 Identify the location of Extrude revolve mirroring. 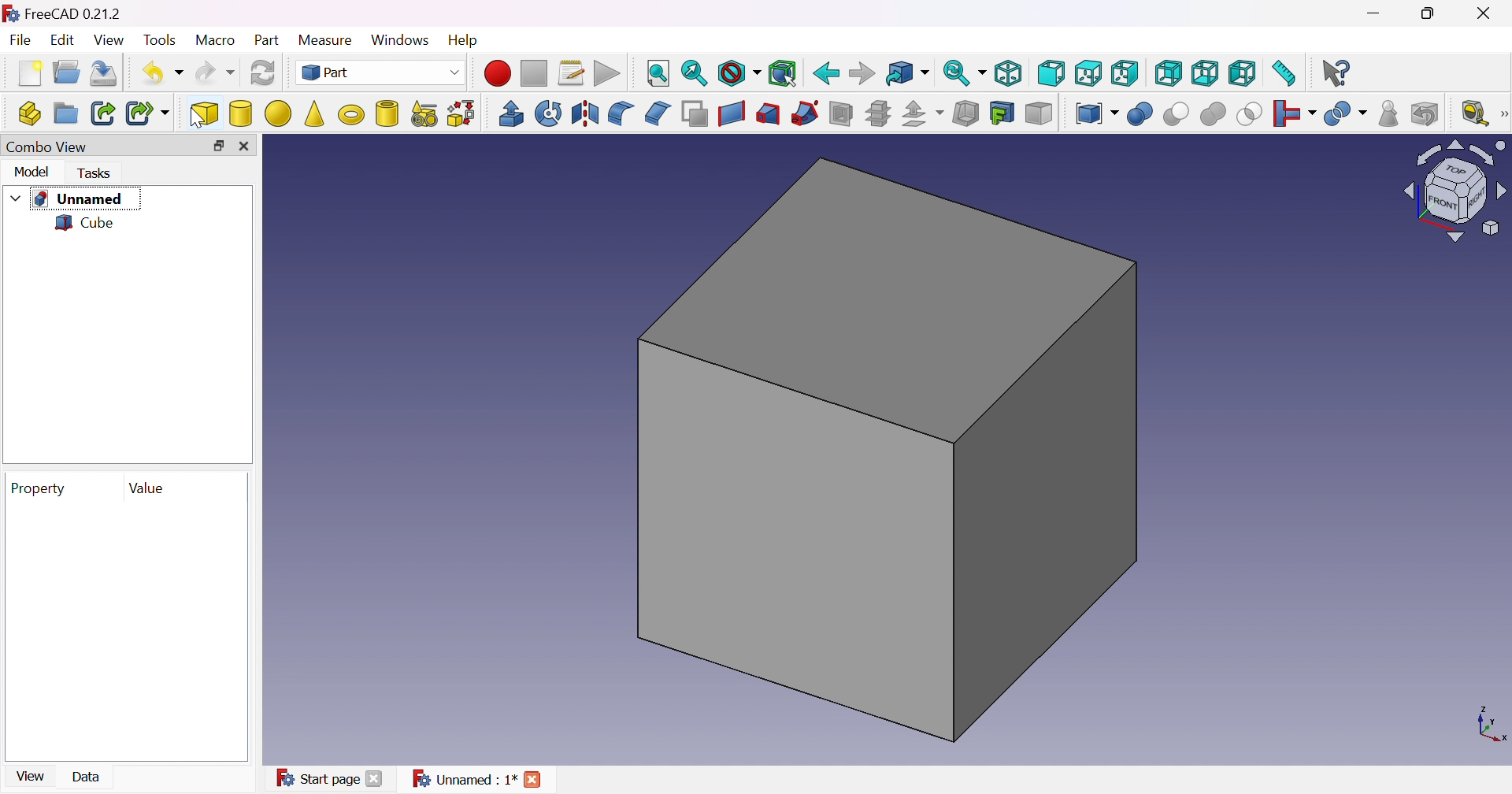
(511, 113).